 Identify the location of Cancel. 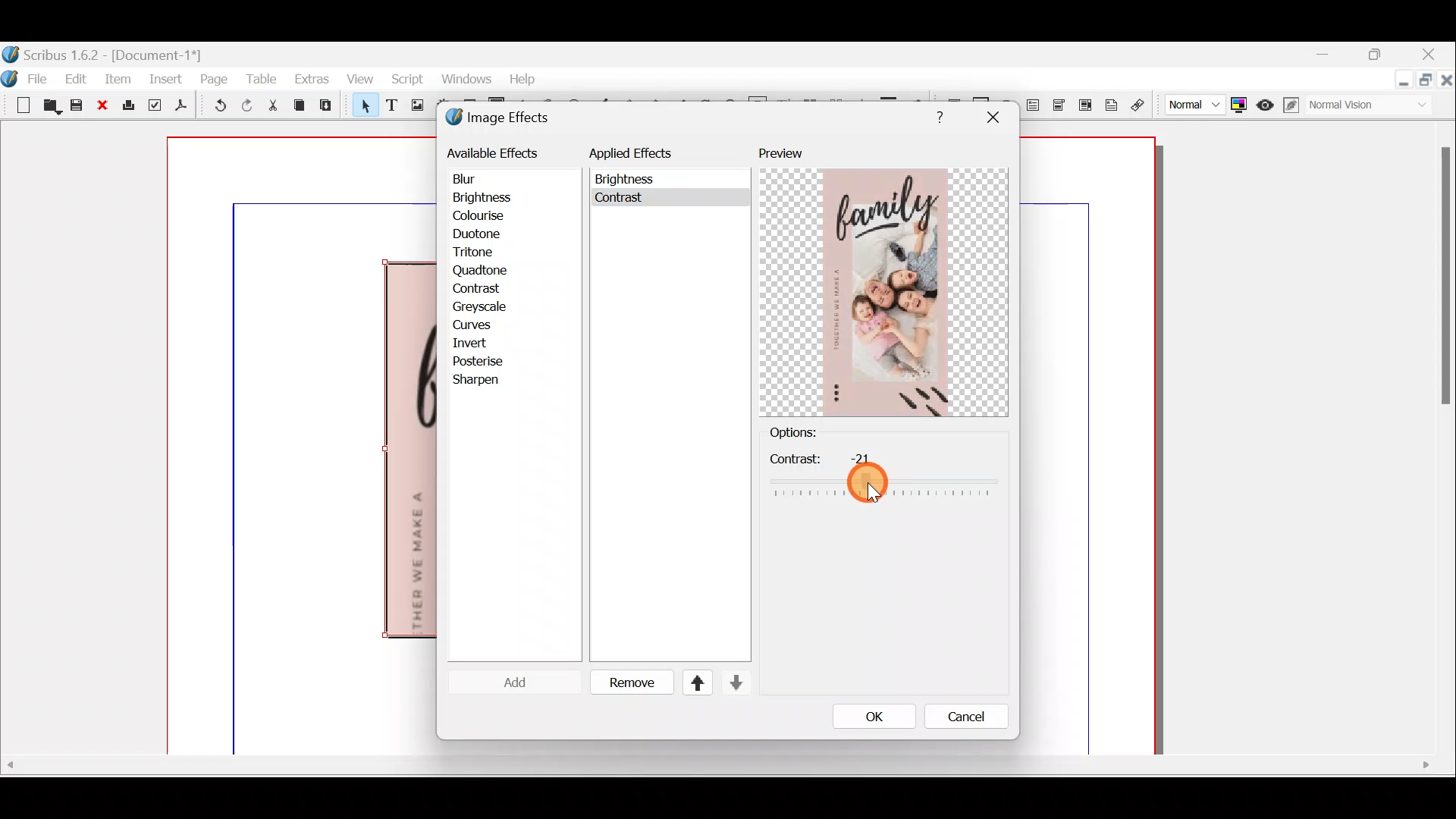
(956, 720).